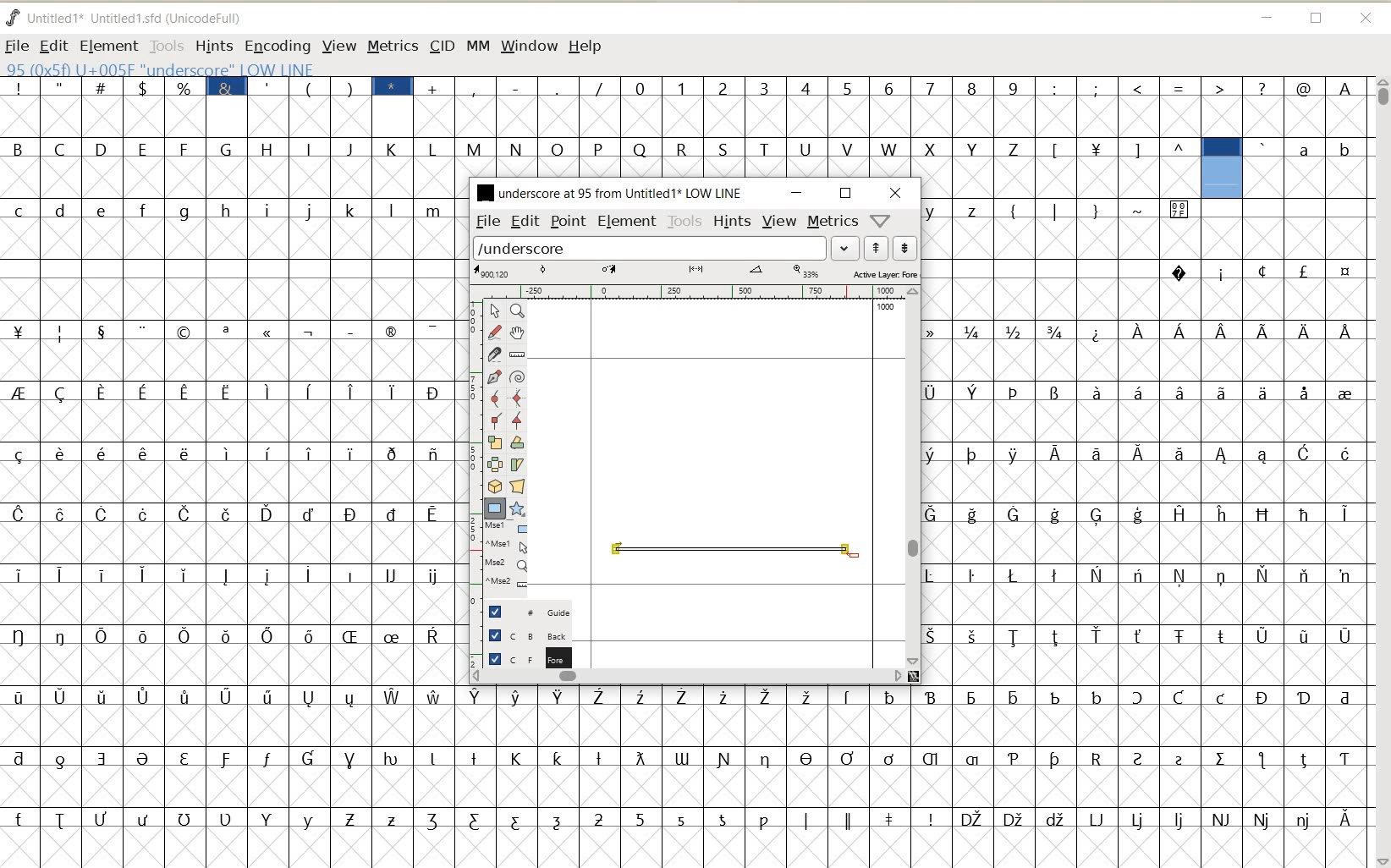 The height and width of the screenshot is (868, 1391). I want to click on pointer, so click(493, 311).